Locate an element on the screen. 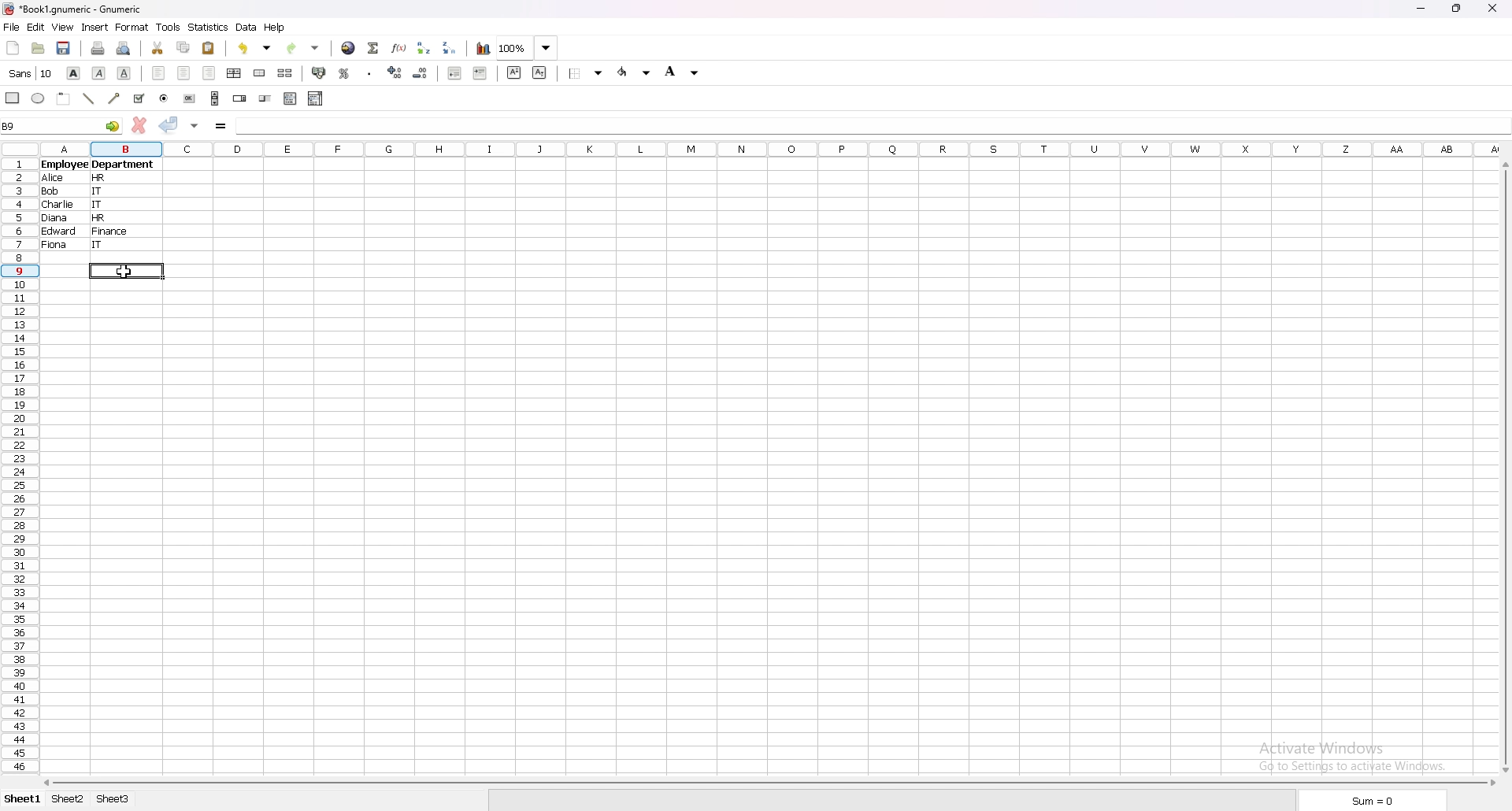  underline is located at coordinates (124, 72).